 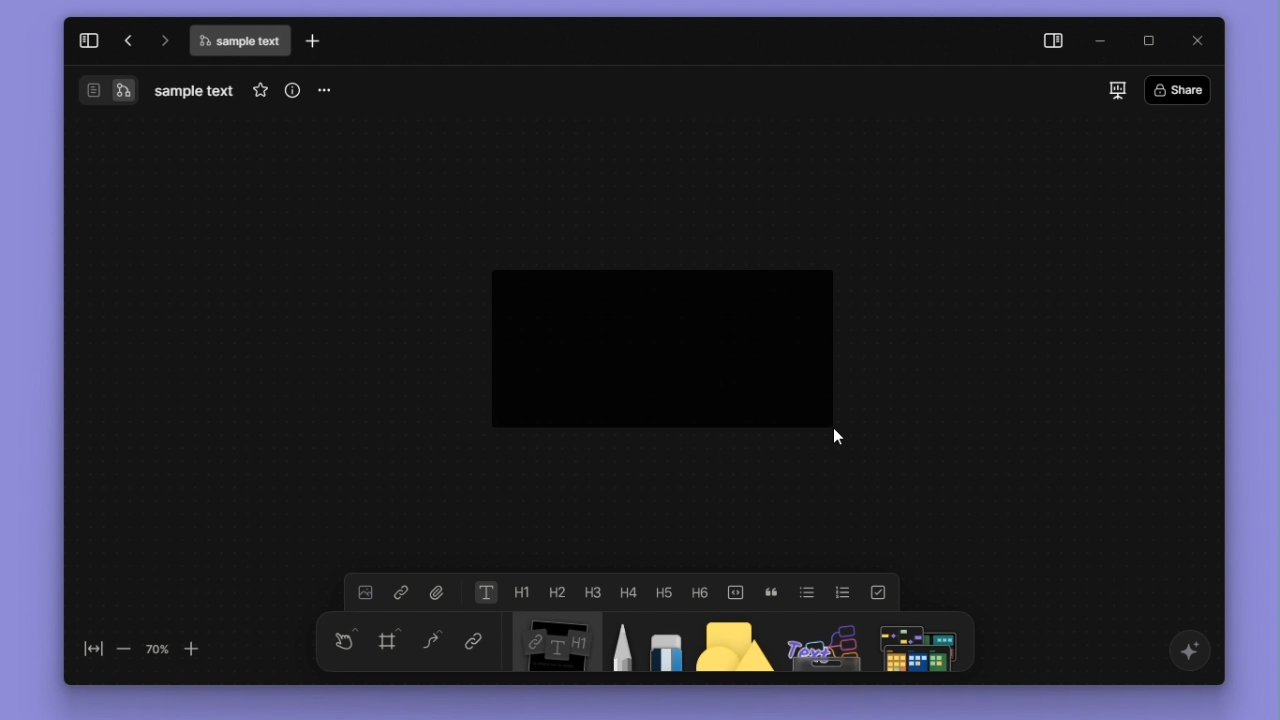 I want to click on go back, so click(x=126, y=40).